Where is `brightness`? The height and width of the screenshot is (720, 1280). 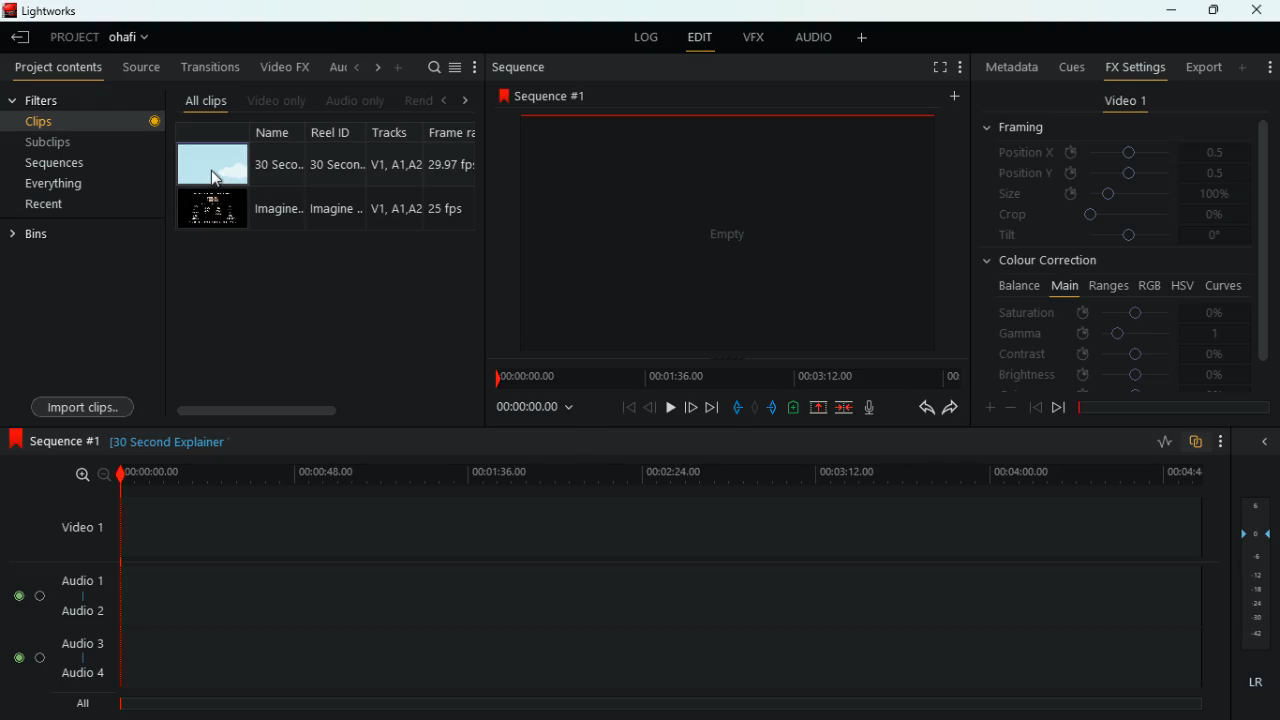
brightness is located at coordinates (1110, 374).